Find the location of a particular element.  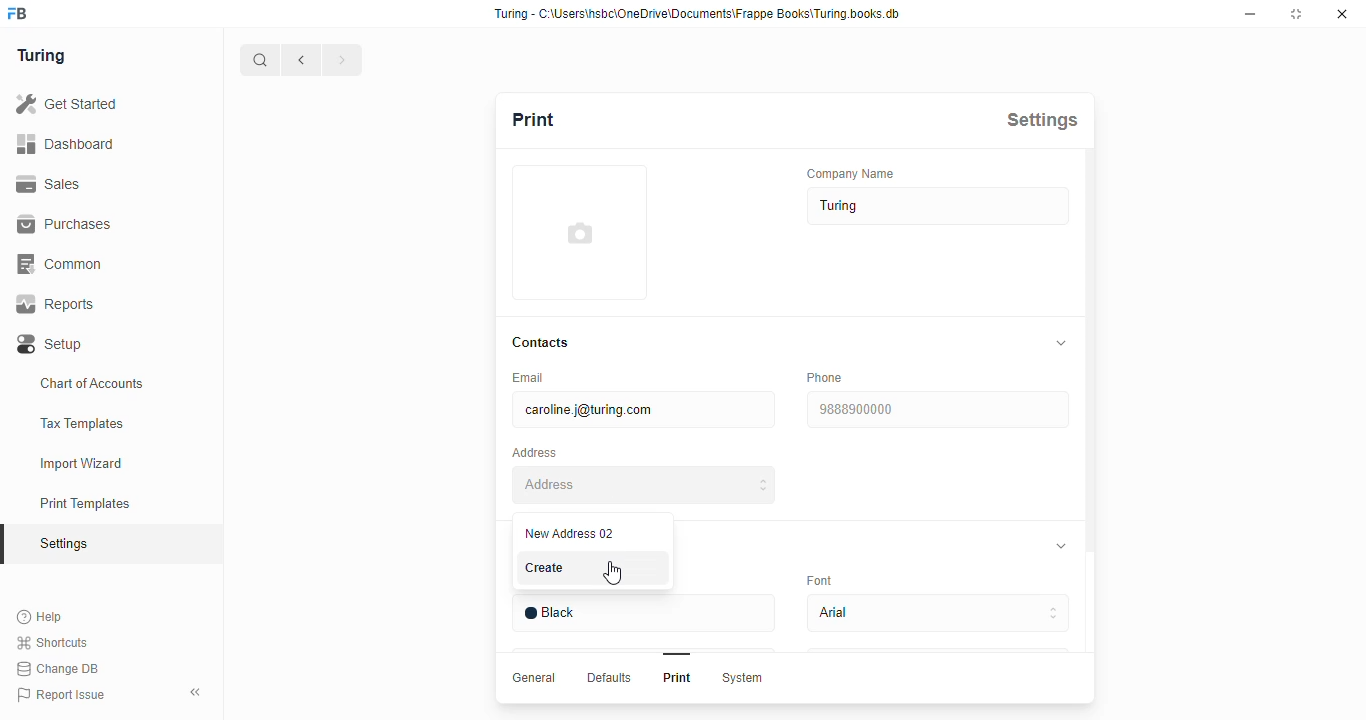

import wizard is located at coordinates (82, 464).